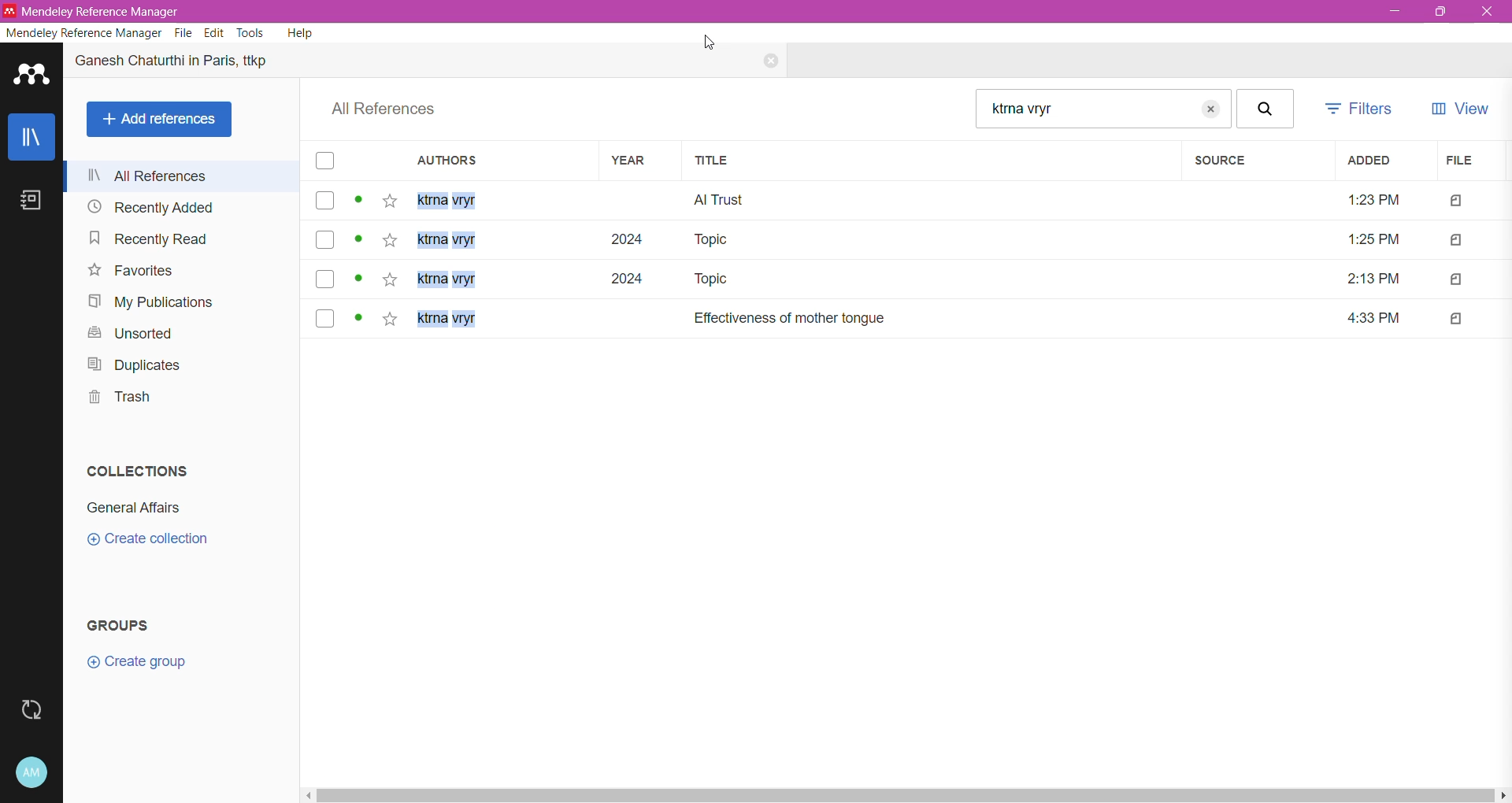  I want to click on Close, so click(1486, 11).